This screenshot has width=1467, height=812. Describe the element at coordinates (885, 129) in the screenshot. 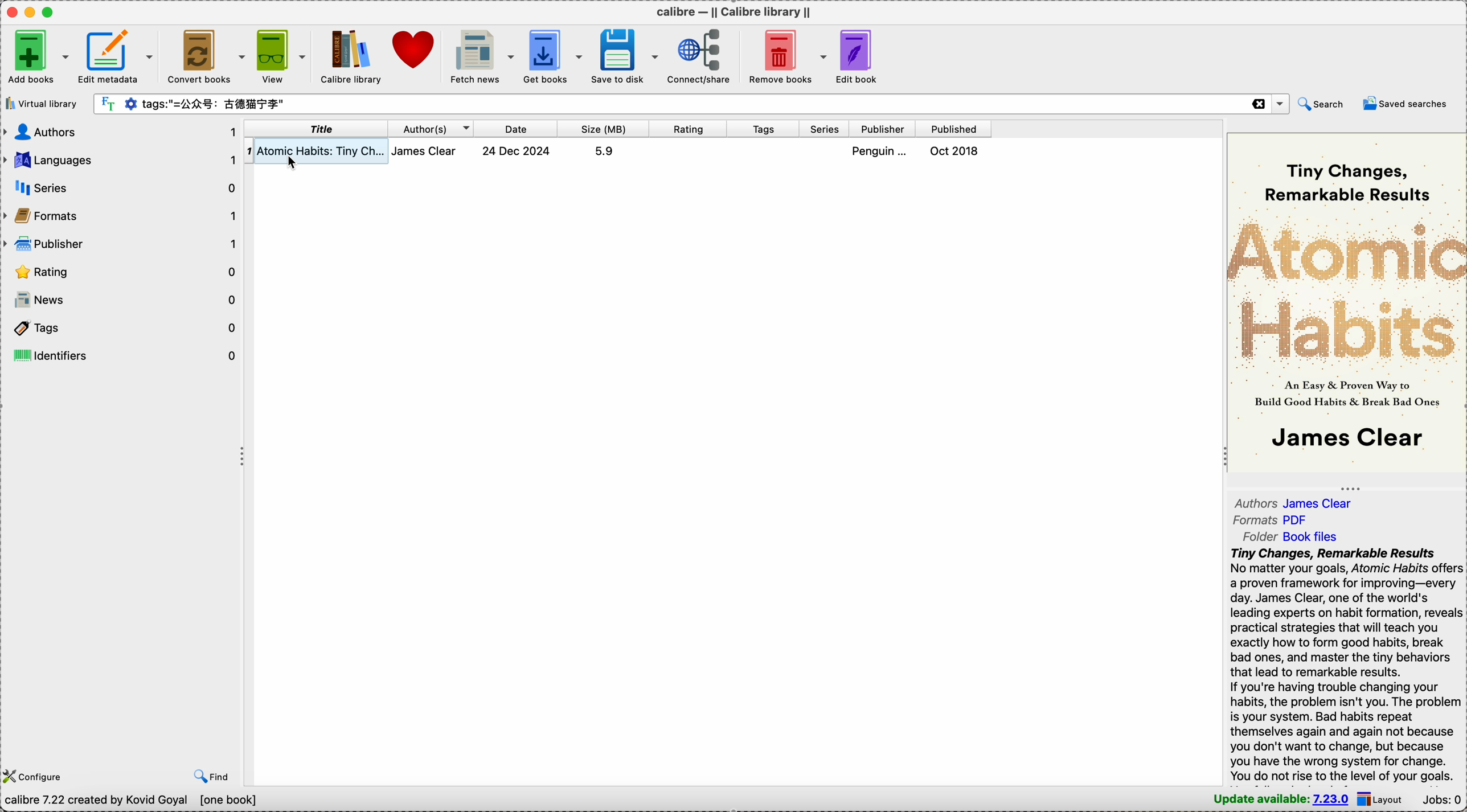

I see `publisher` at that location.